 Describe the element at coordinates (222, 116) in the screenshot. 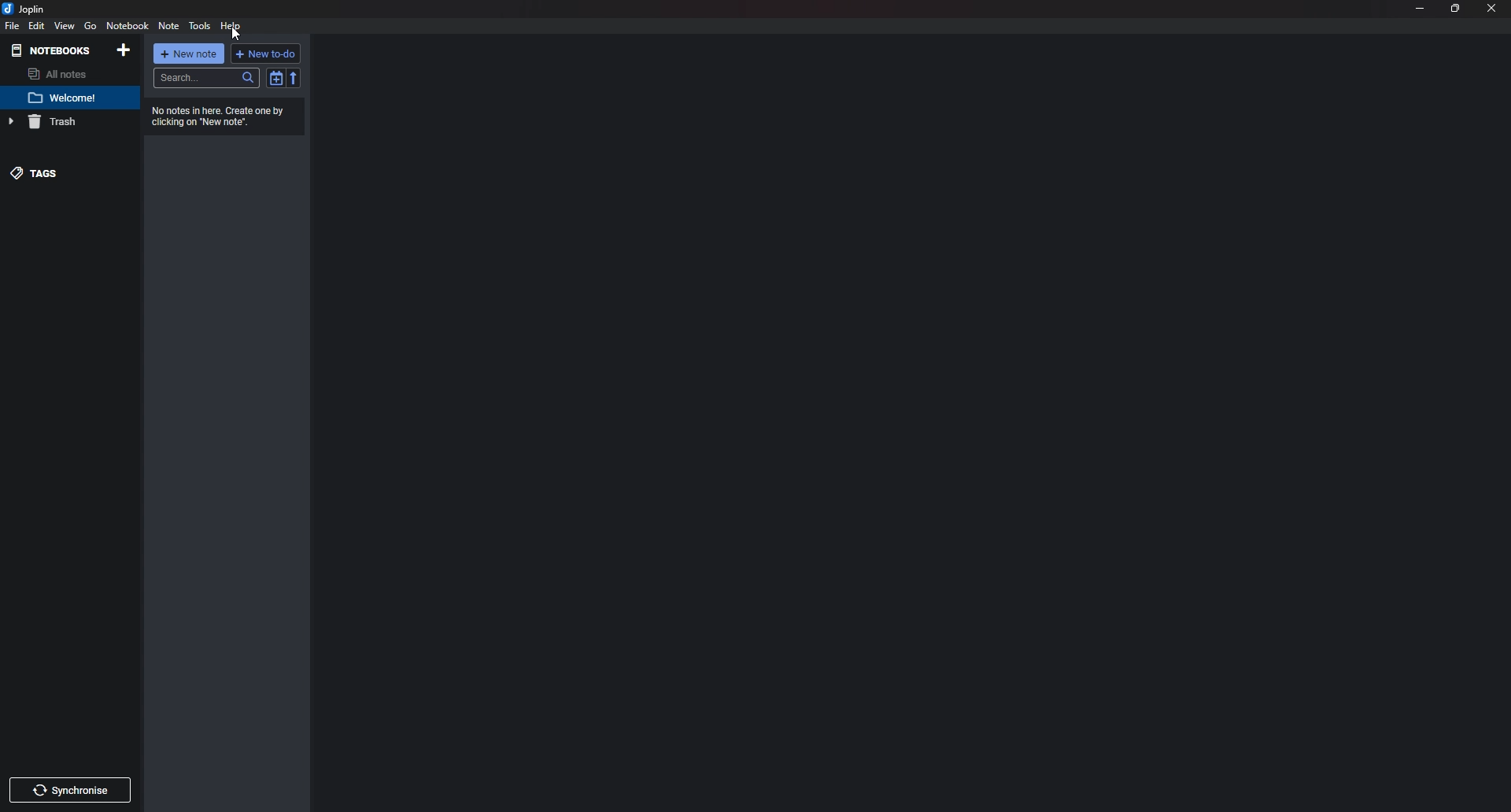

I see `Info` at that location.